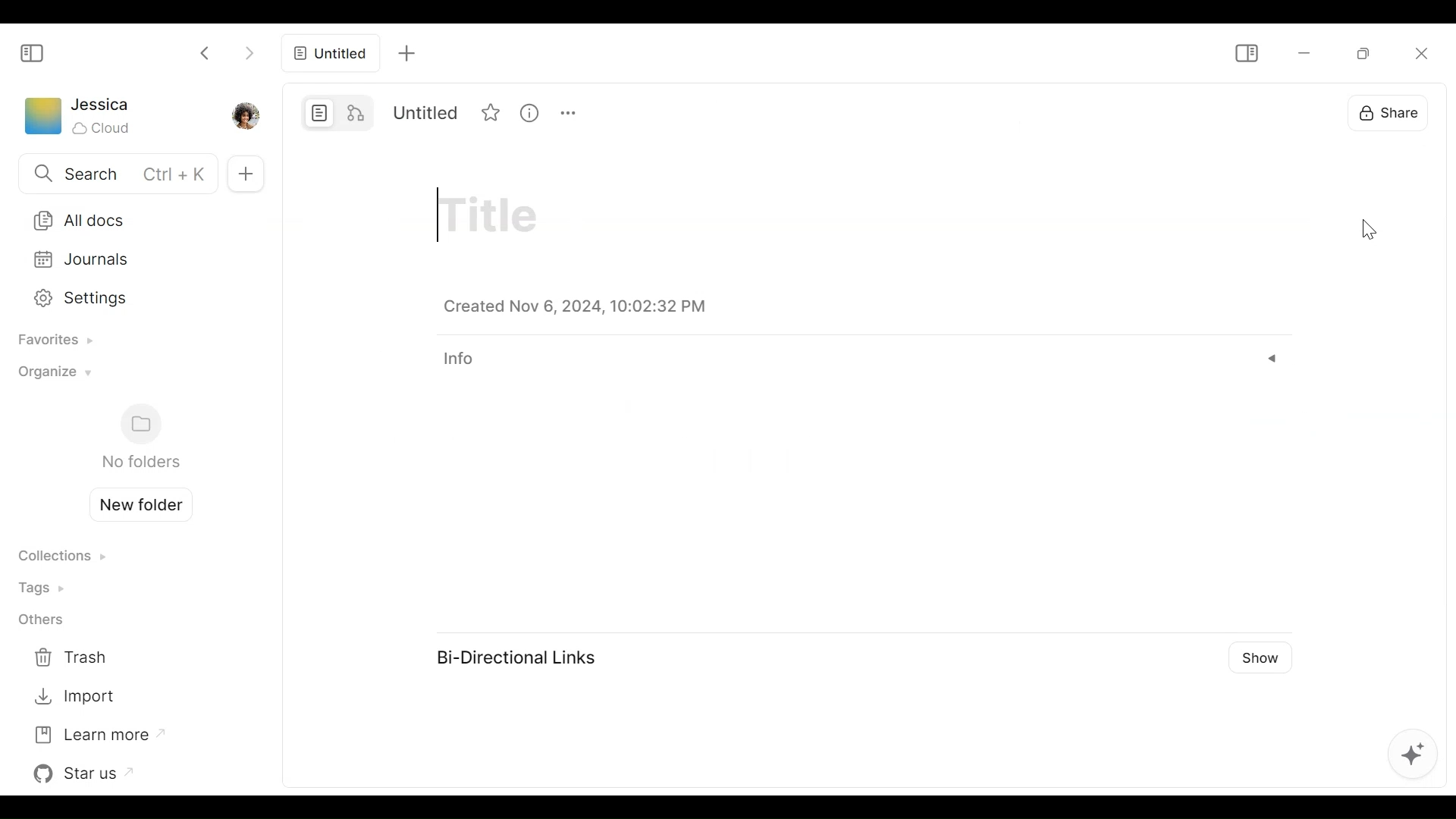 The image size is (1456, 819). Describe the element at coordinates (206, 52) in the screenshot. I see `Click to go back` at that location.